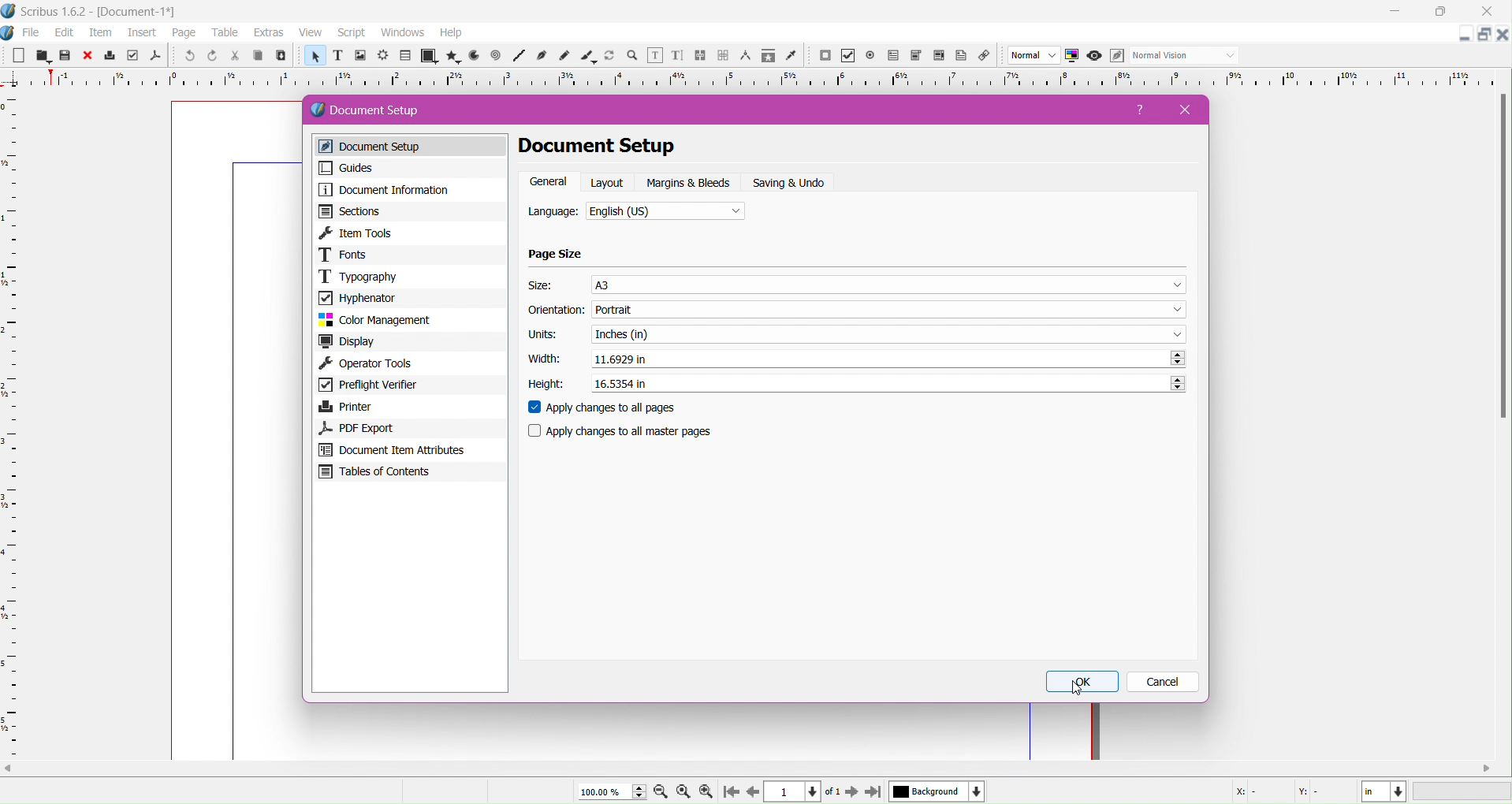 This screenshot has width=1512, height=804. I want to click on Preflight Verifier, so click(408, 386).